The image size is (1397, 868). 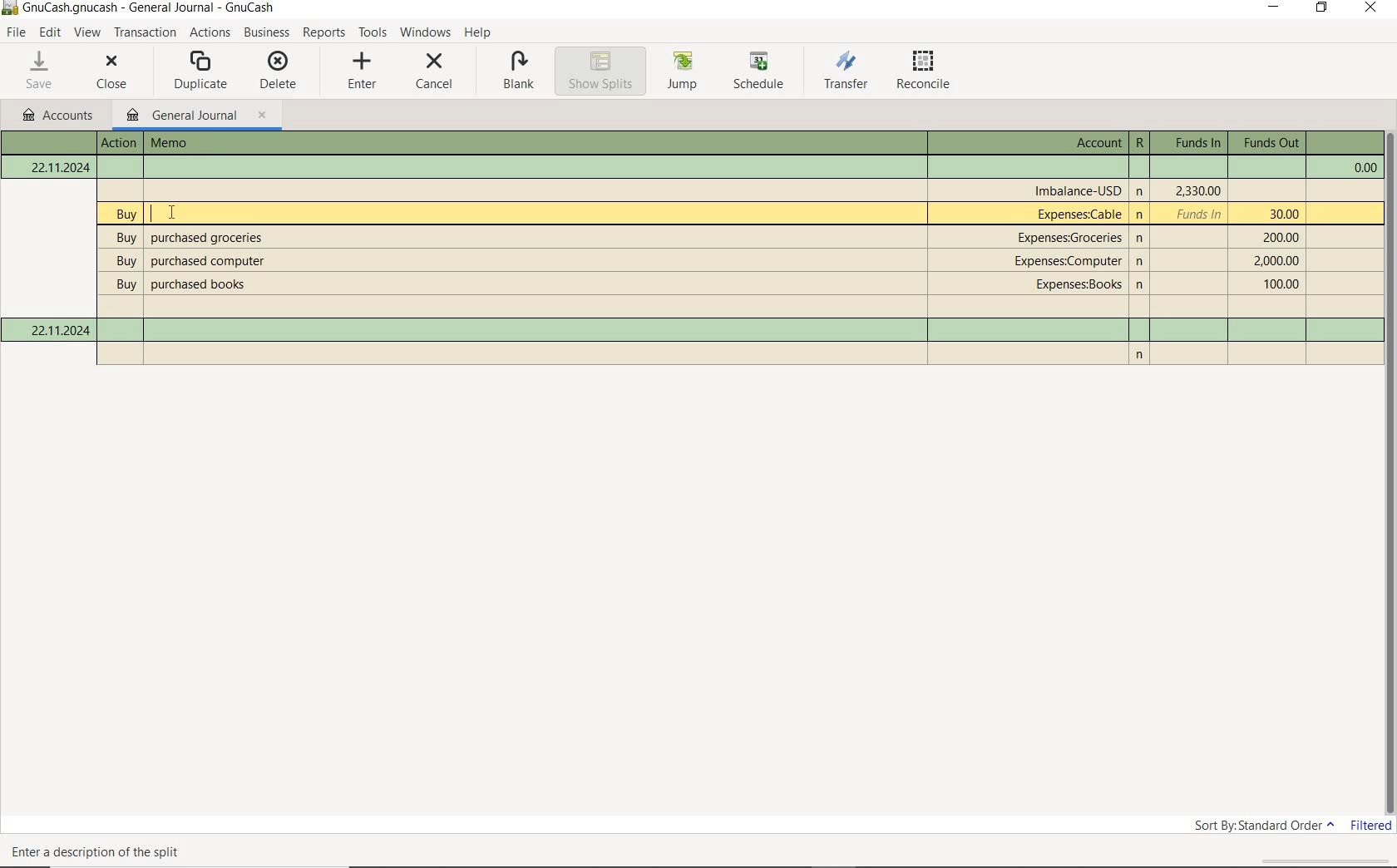 What do you see at coordinates (1091, 143) in the screenshot?
I see `Text` at bounding box center [1091, 143].